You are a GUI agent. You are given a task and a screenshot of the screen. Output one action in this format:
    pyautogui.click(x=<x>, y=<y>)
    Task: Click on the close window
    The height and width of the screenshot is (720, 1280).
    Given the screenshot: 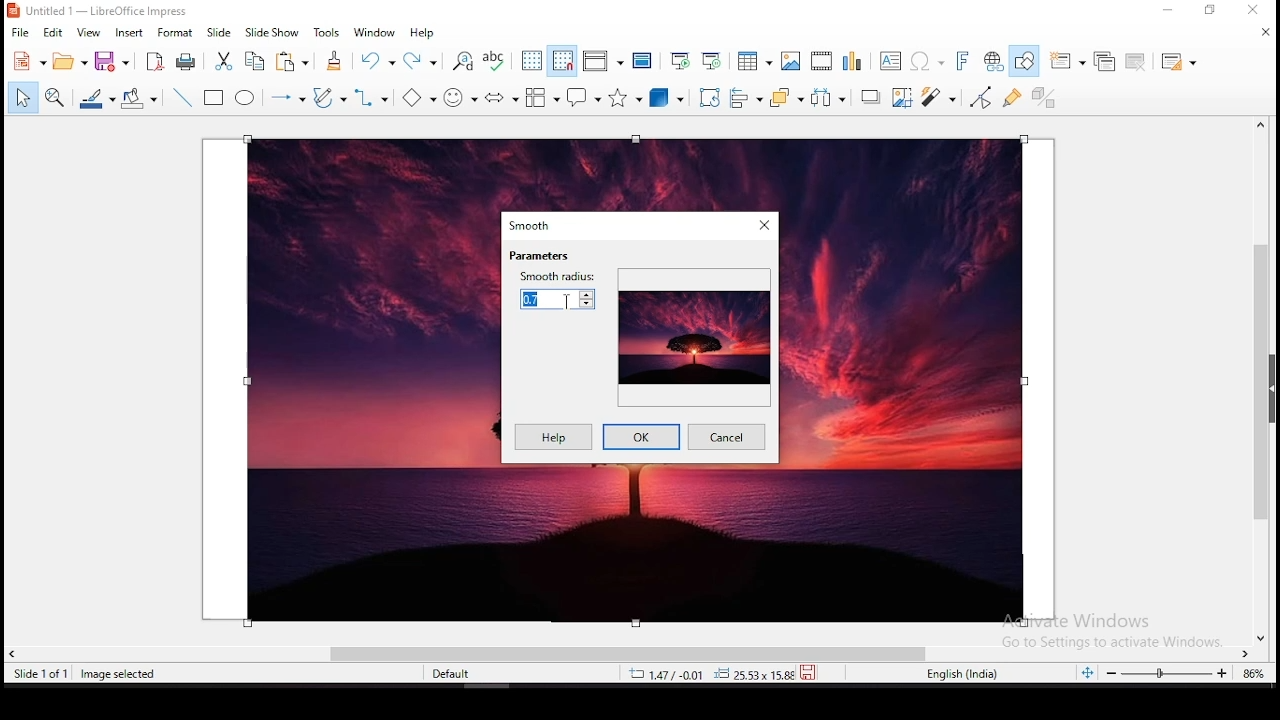 What is the action you would take?
    pyautogui.click(x=763, y=224)
    